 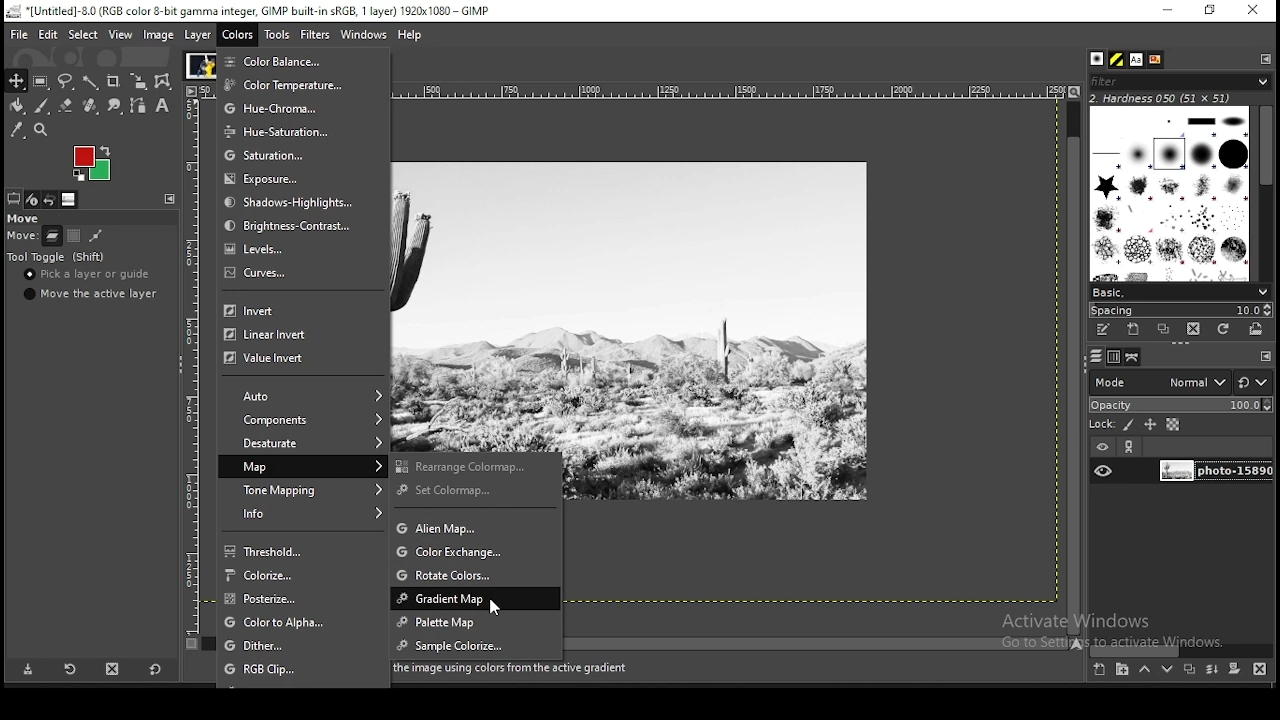 What do you see at coordinates (1179, 403) in the screenshot?
I see `opacity` at bounding box center [1179, 403].